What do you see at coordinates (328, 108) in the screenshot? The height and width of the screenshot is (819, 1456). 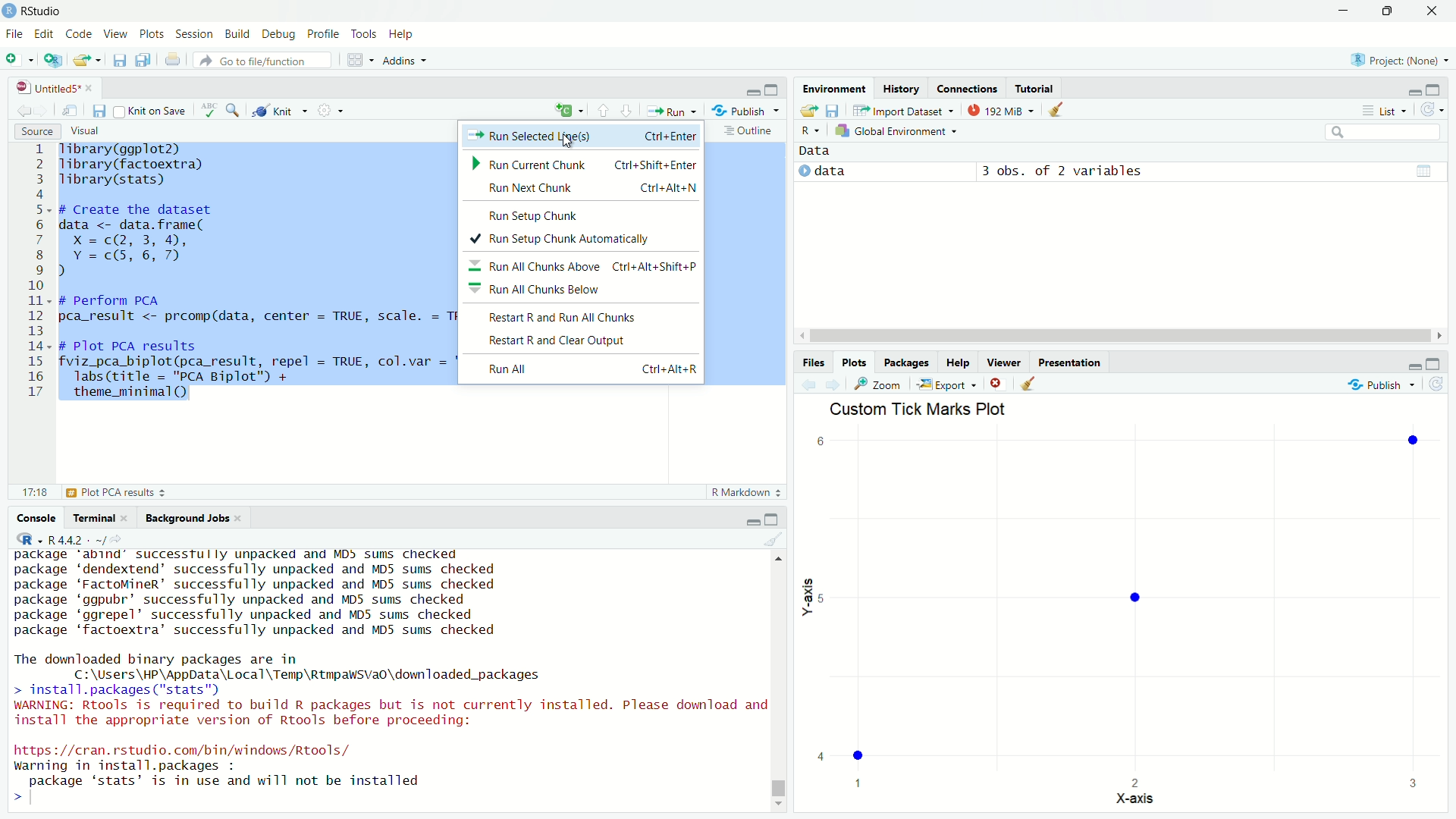 I see `settings` at bounding box center [328, 108].